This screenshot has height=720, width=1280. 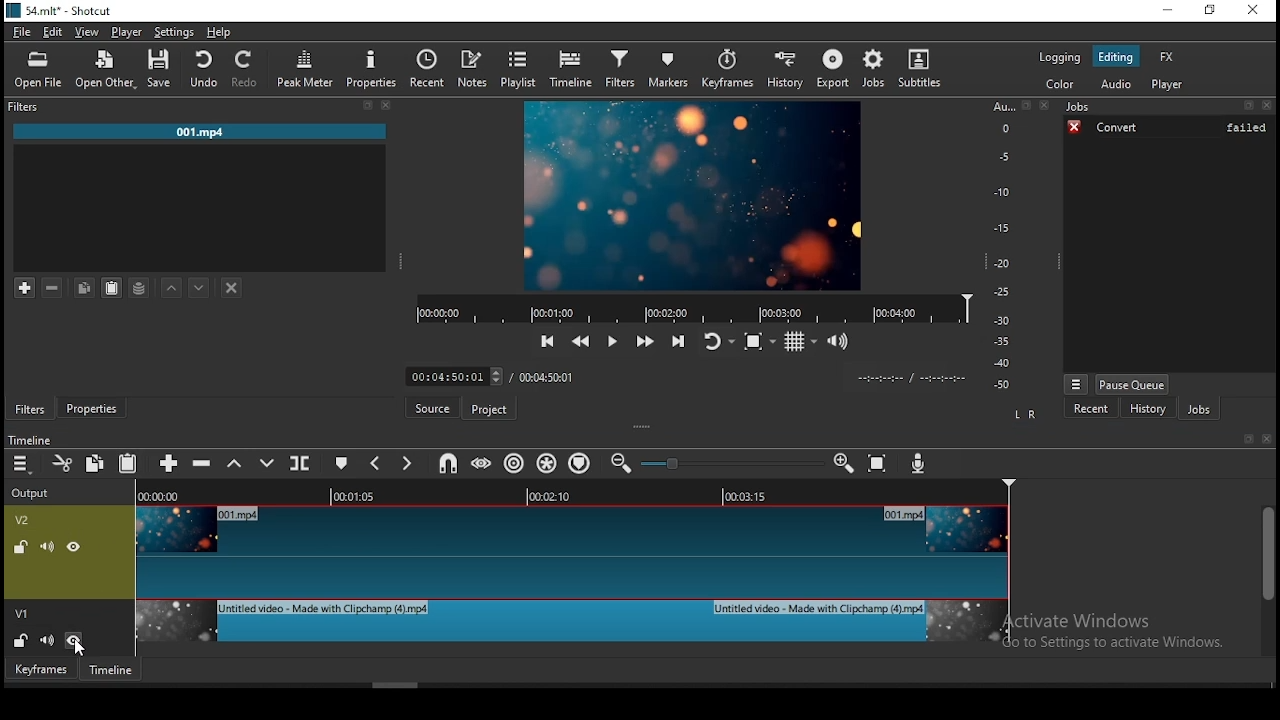 What do you see at coordinates (1117, 83) in the screenshot?
I see `audio` at bounding box center [1117, 83].